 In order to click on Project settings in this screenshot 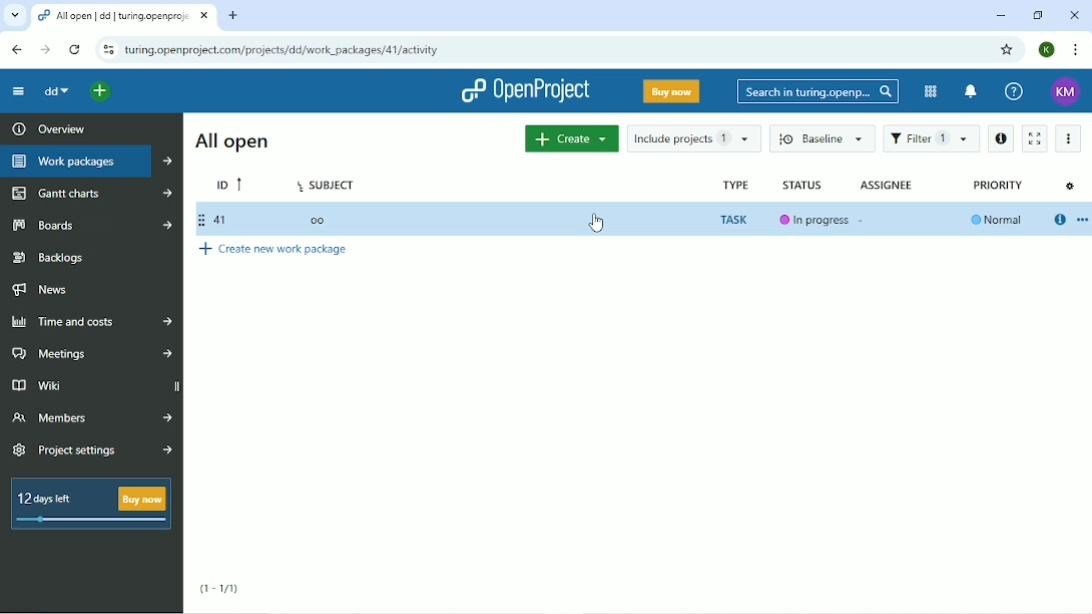, I will do `click(92, 452)`.